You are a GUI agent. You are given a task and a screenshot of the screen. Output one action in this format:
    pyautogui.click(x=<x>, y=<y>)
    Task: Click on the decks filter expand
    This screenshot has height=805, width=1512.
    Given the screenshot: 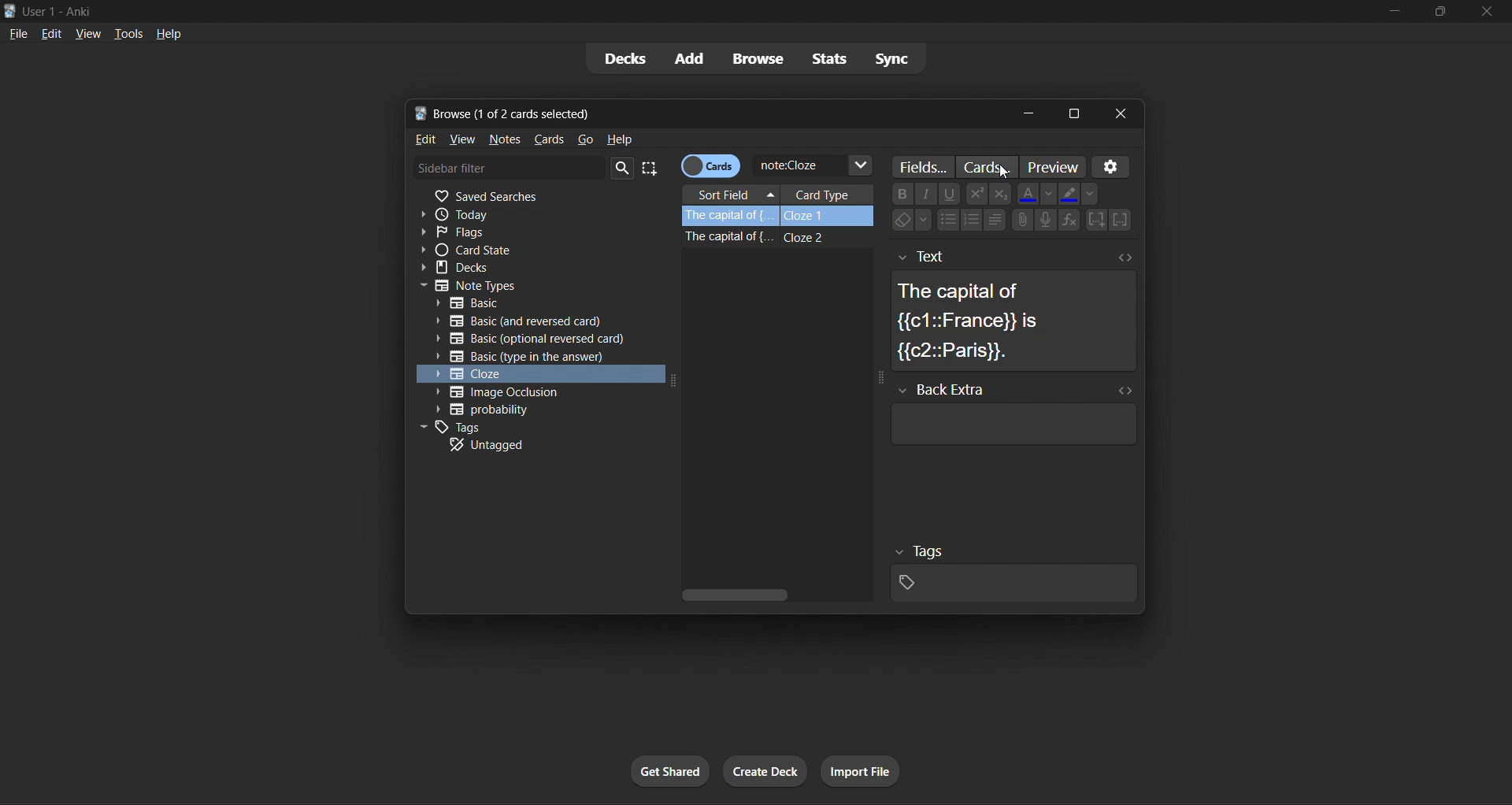 What is the action you would take?
    pyautogui.click(x=534, y=268)
    